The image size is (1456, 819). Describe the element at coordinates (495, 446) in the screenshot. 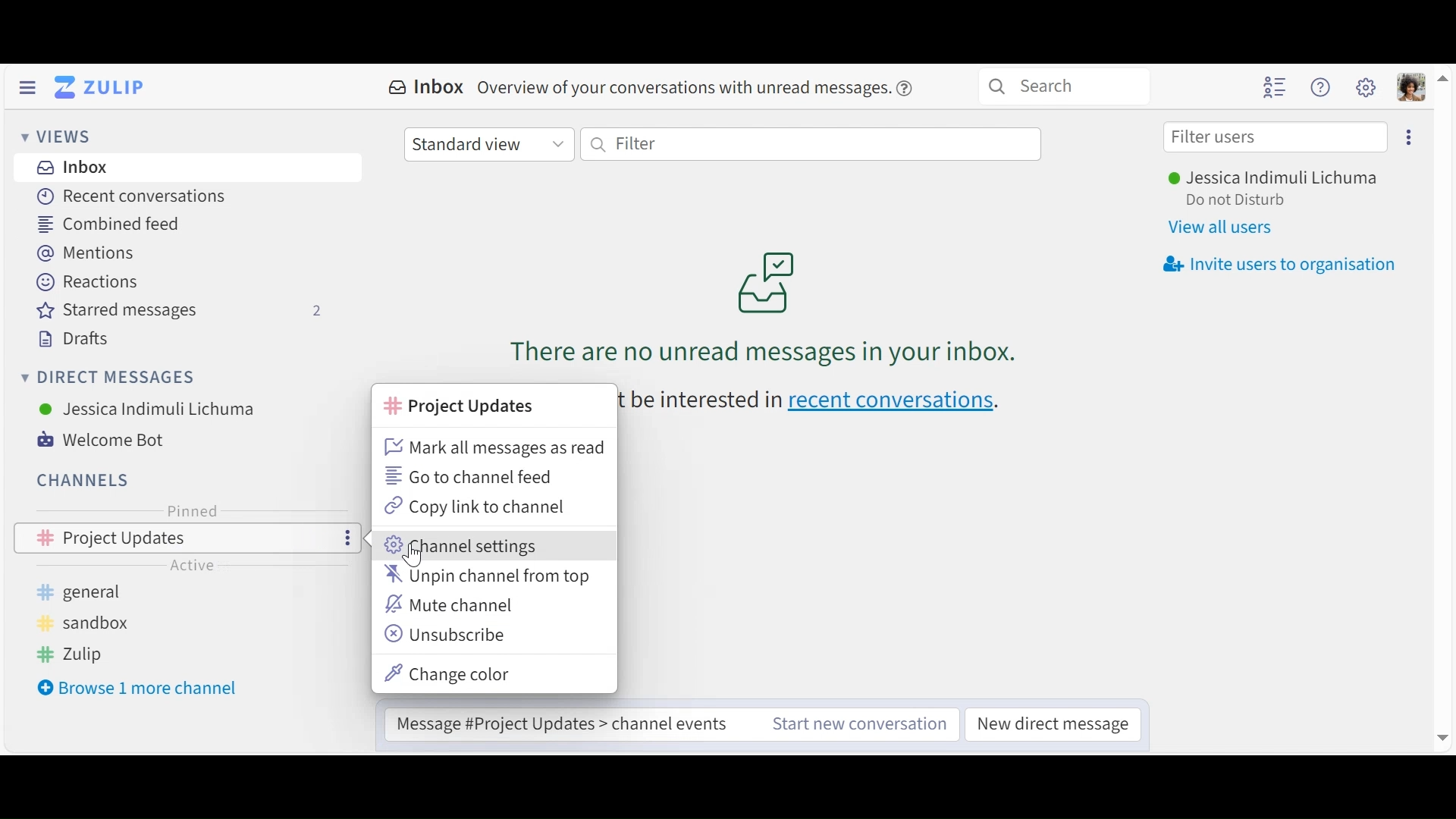

I see `Mark all messages as read` at that location.